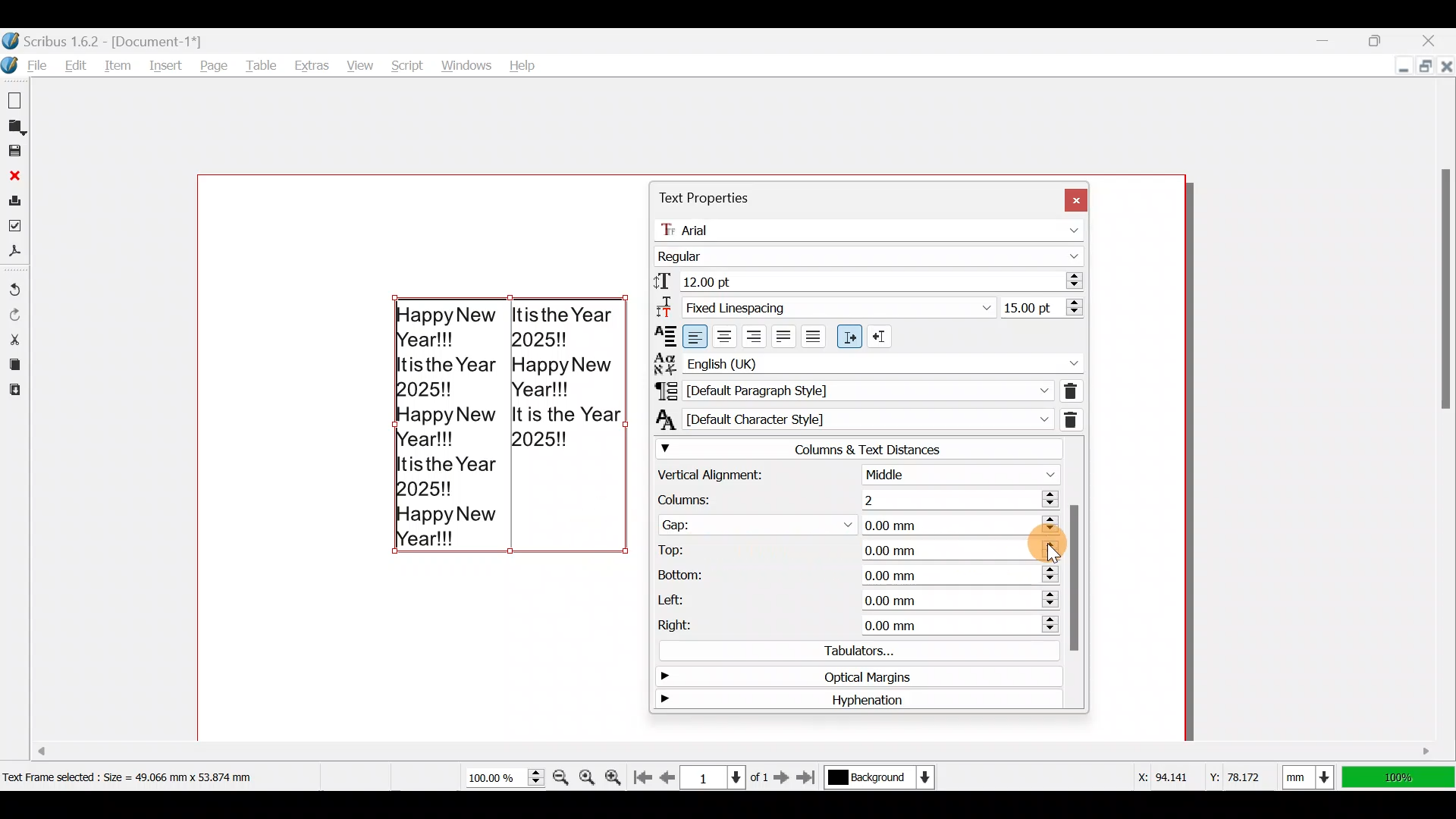 The width and height of the screenshot is (1456, 819). Describe the element at coordinates (727, 334) in the screenshot. I see `Align text center` at that location.